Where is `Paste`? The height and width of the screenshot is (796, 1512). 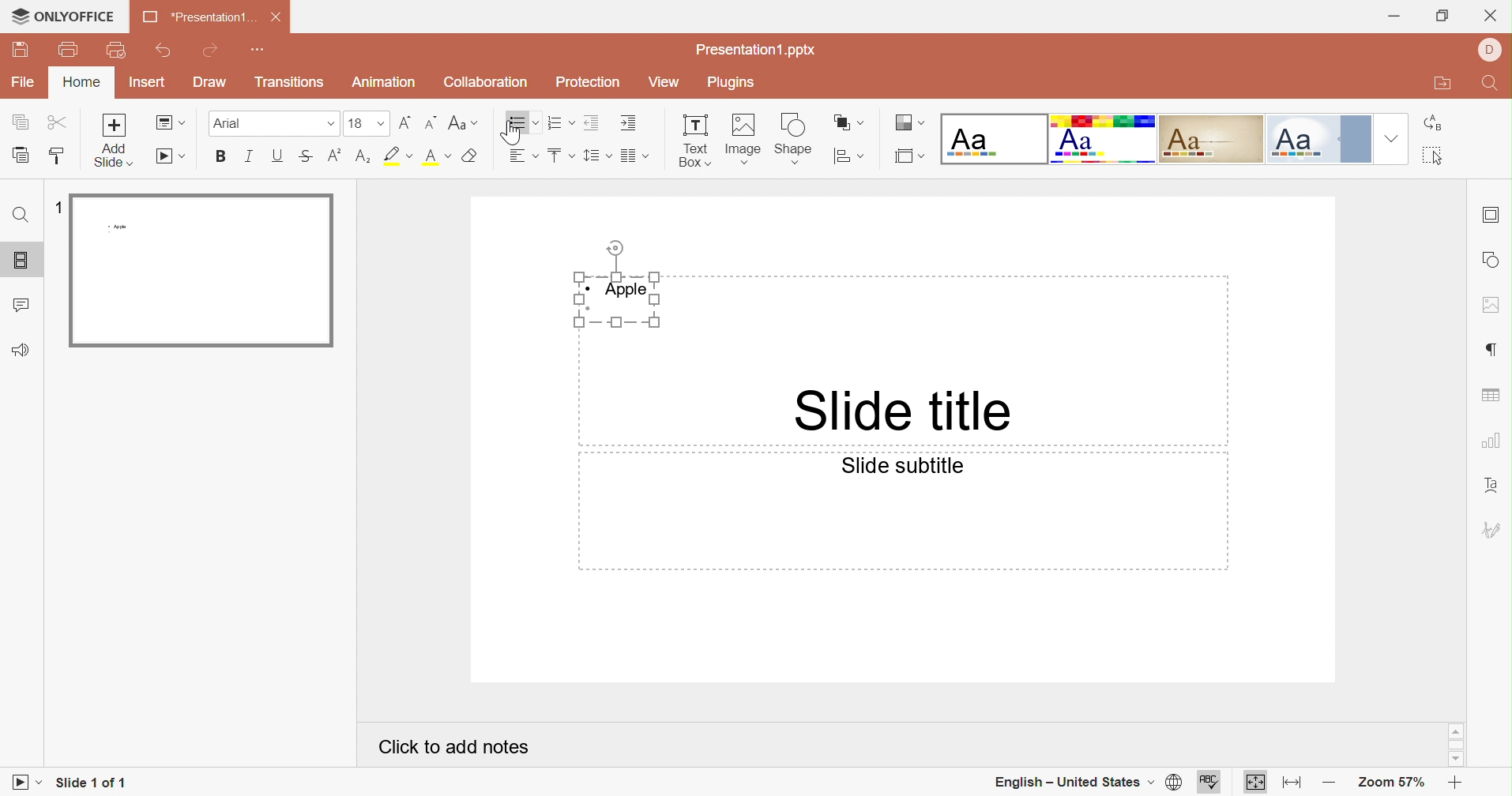 Paste is located at coordinates (21, 157).